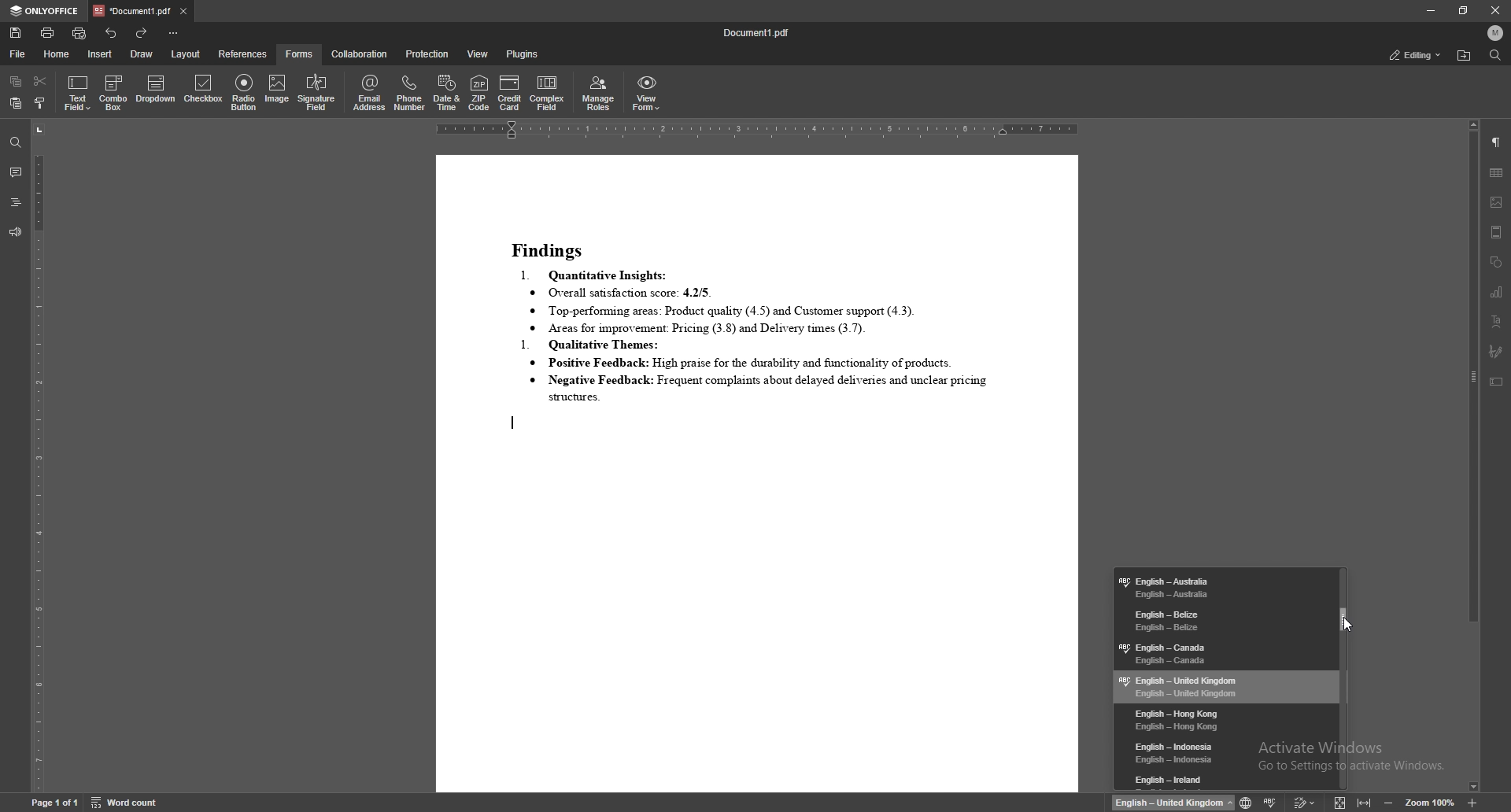 Image resolution: width=1511 pixels, height=812 pixels. What do you see at coordinates (478, 54) in the screenshot?
I see `view` at bounding box center [478, 54].